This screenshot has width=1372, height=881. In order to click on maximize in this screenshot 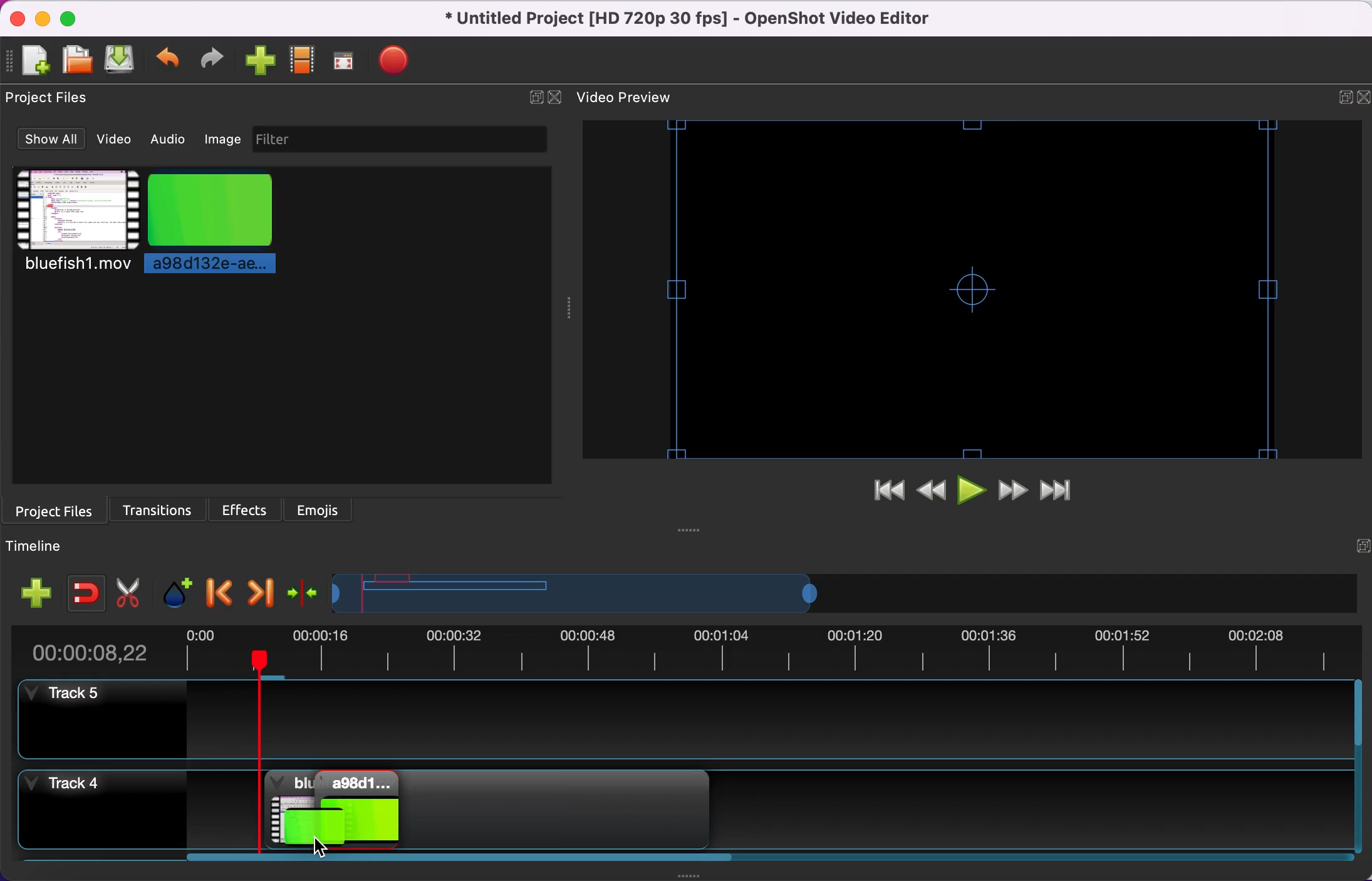, I will do `click(74, 18)`.